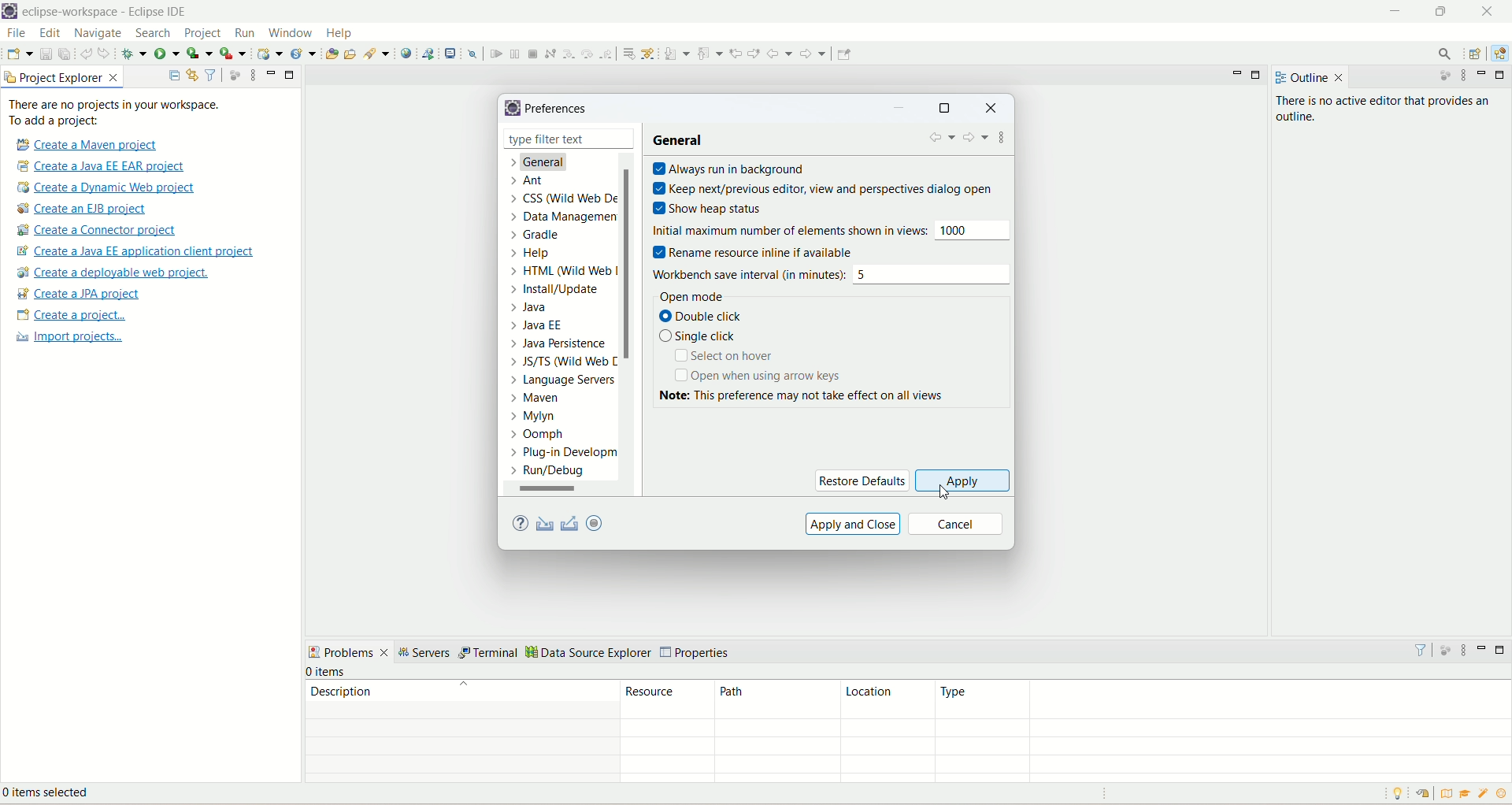  What do you see at coordinates (764, 252) in the screenshot?
I see `rename resource inline if available` at bounding box center [764, 252].